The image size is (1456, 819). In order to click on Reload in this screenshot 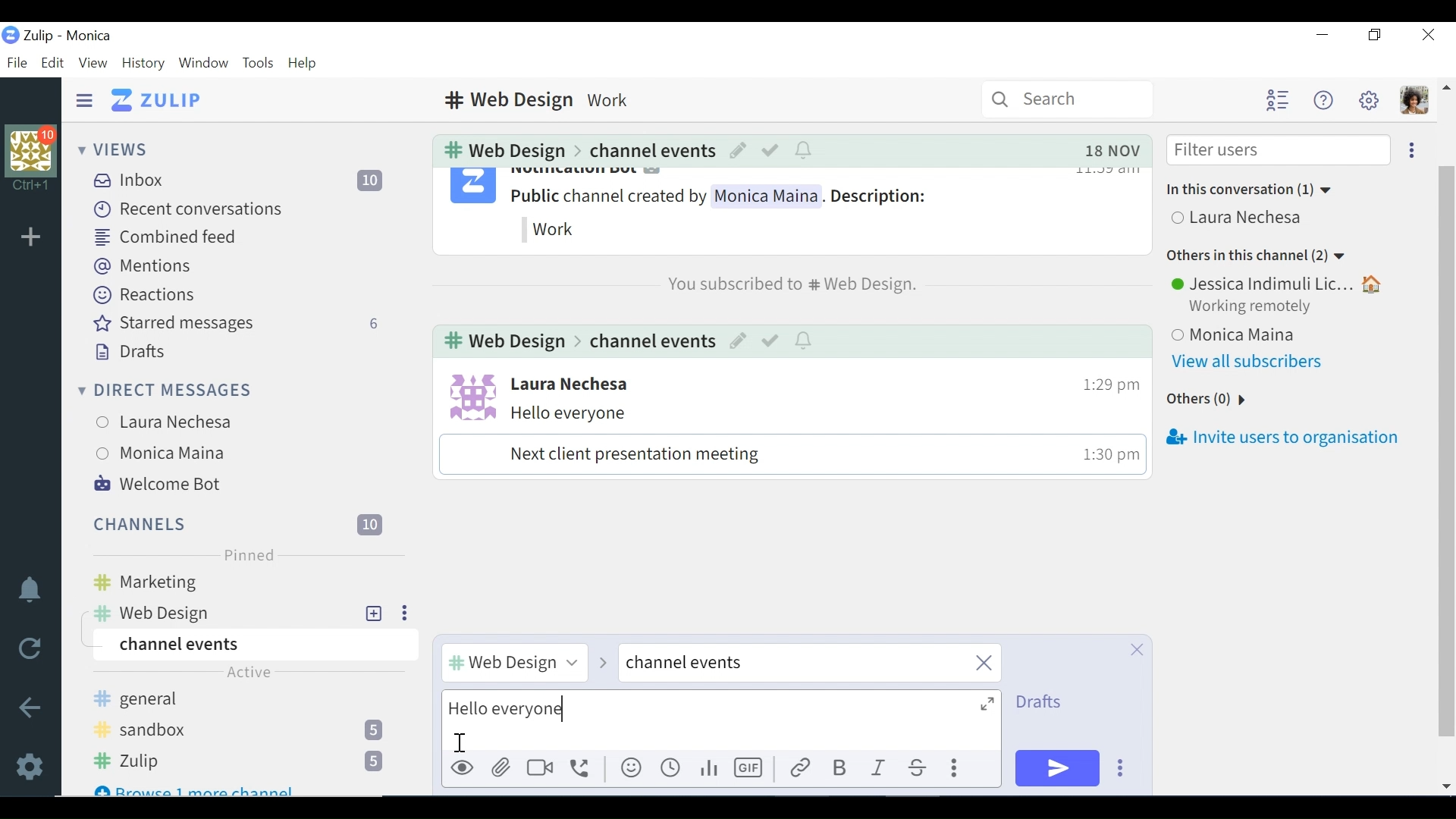, I will do `click(29, 648)`.